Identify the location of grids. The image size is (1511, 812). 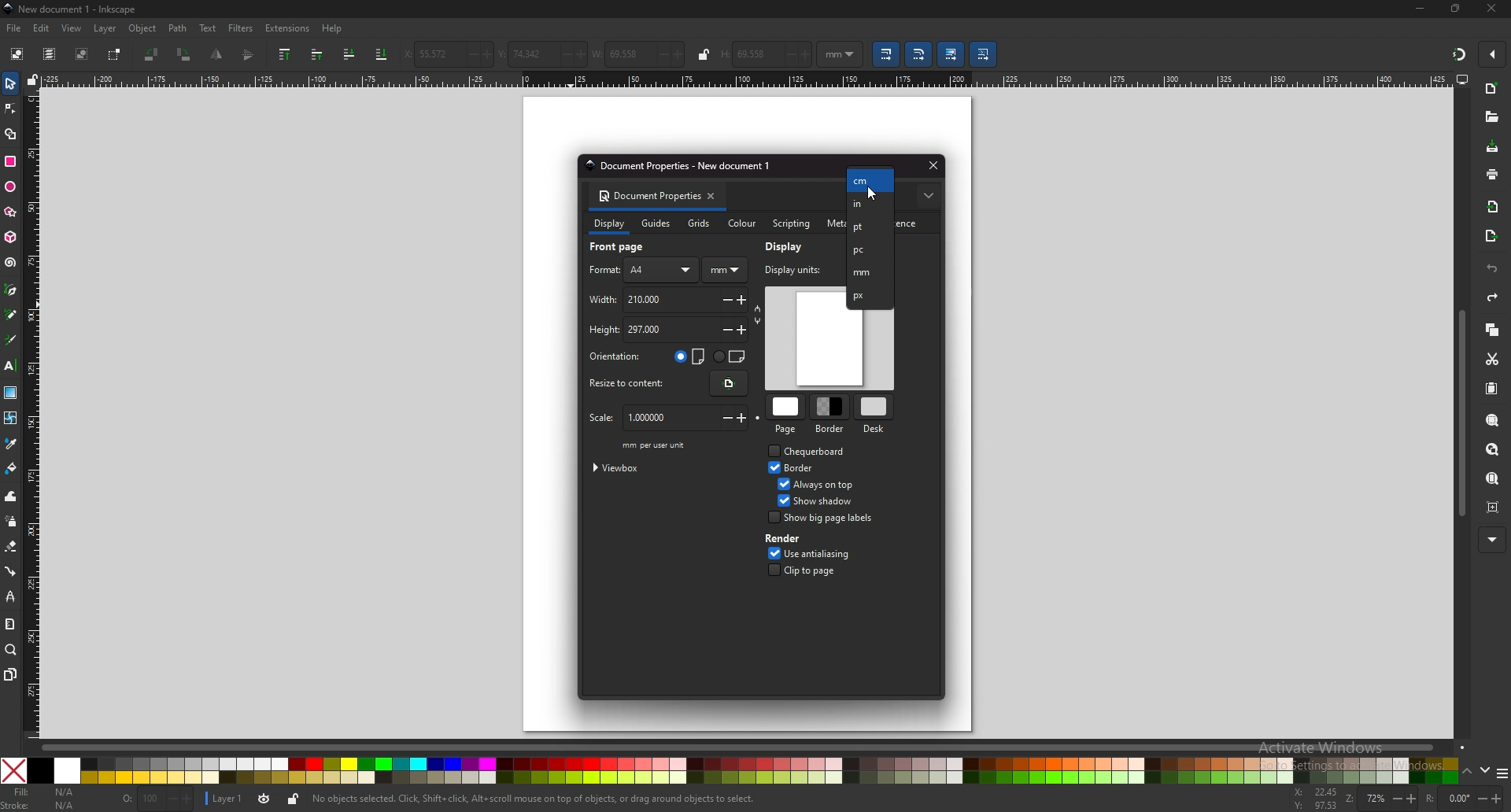
(700, 223).